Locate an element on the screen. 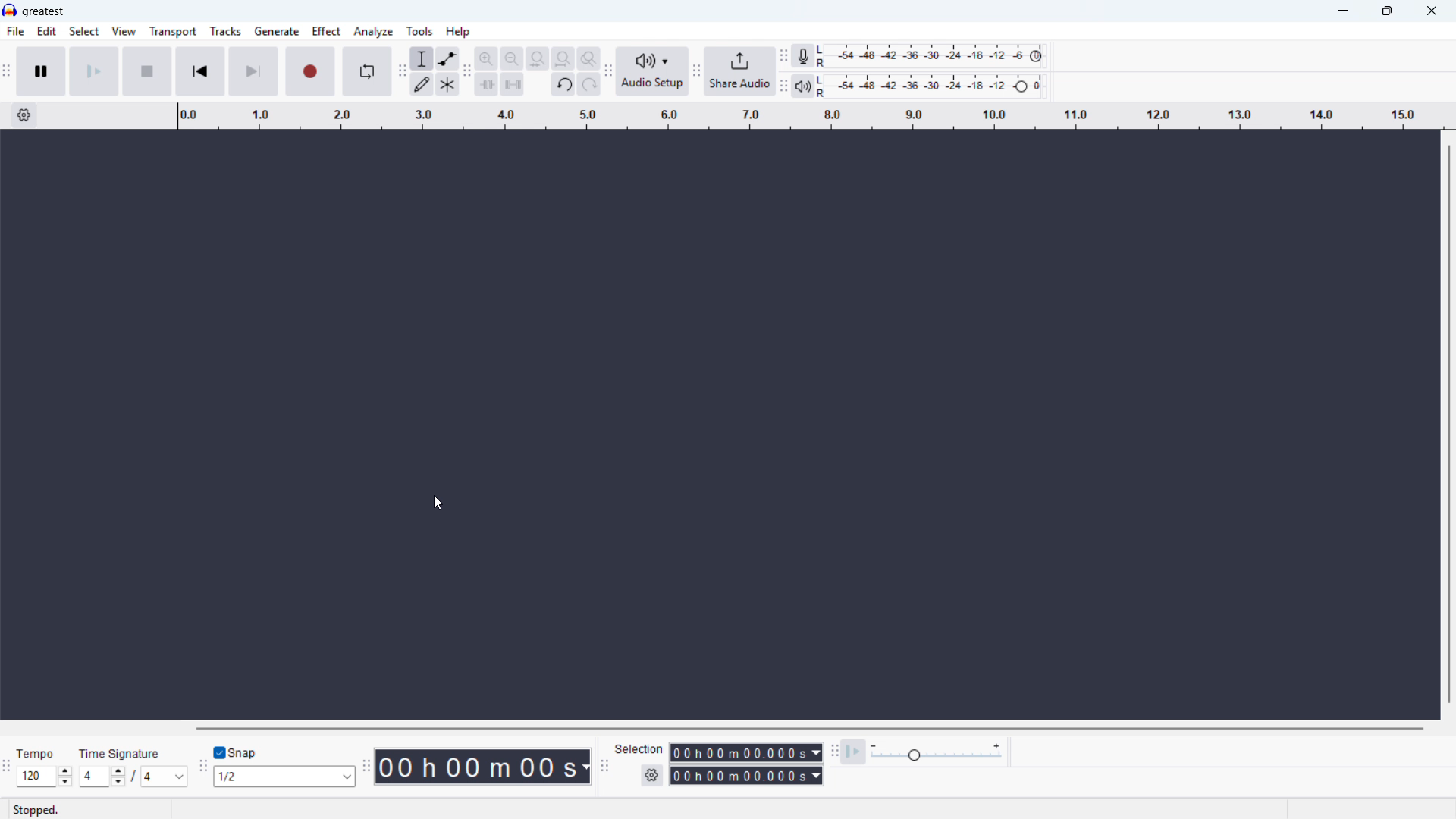 This screenshot has width=1456, height=819. Tools toolbar  is located at coordinates (401, 71).